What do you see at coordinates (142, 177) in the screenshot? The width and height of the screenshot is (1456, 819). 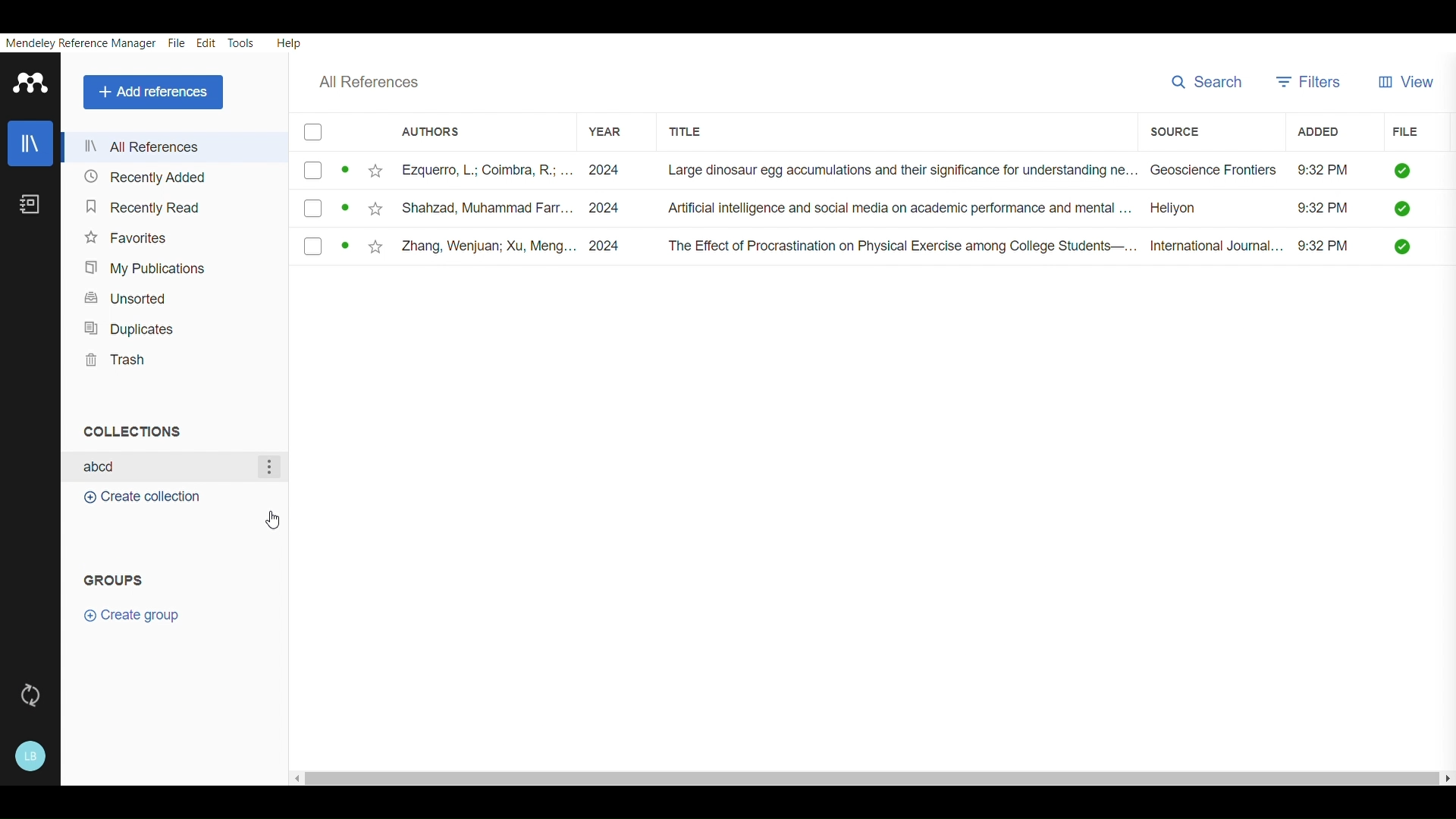 I see `Recently Added` at bounding box center [142, 177].